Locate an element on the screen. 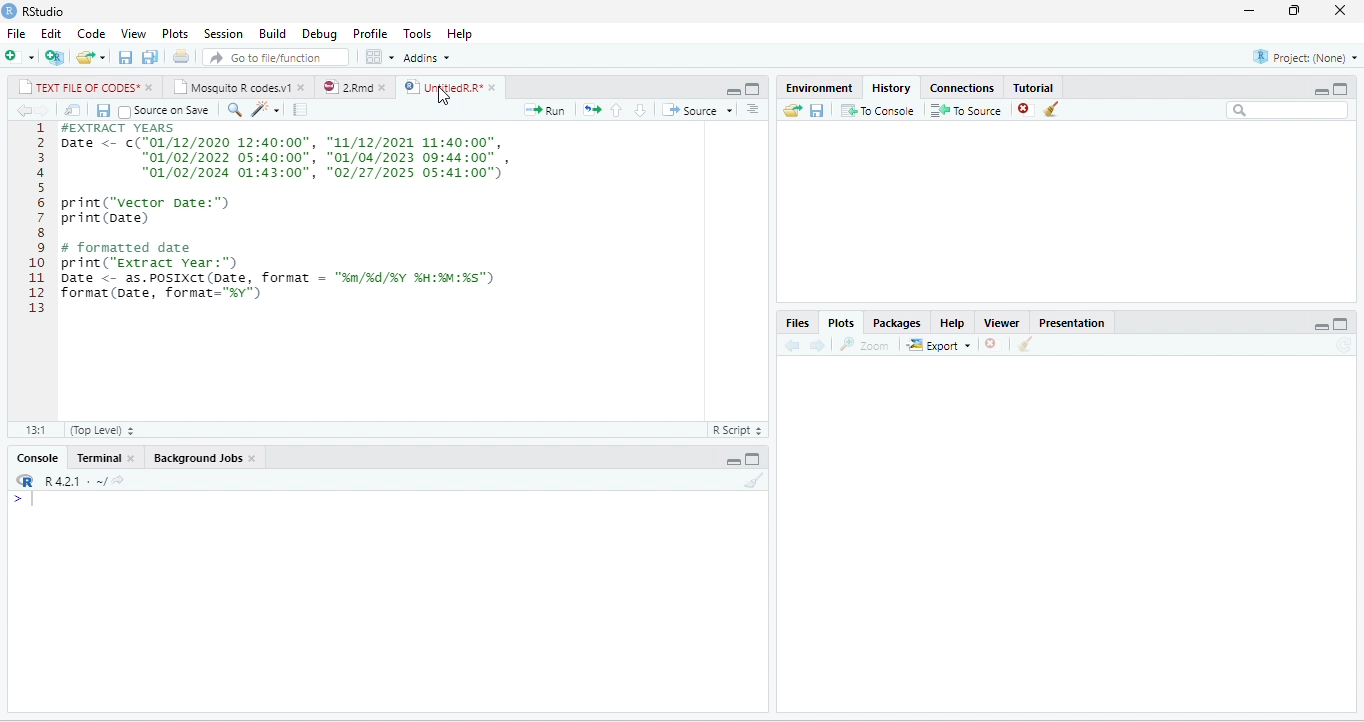  clear is located at coordinates (1052, 109).